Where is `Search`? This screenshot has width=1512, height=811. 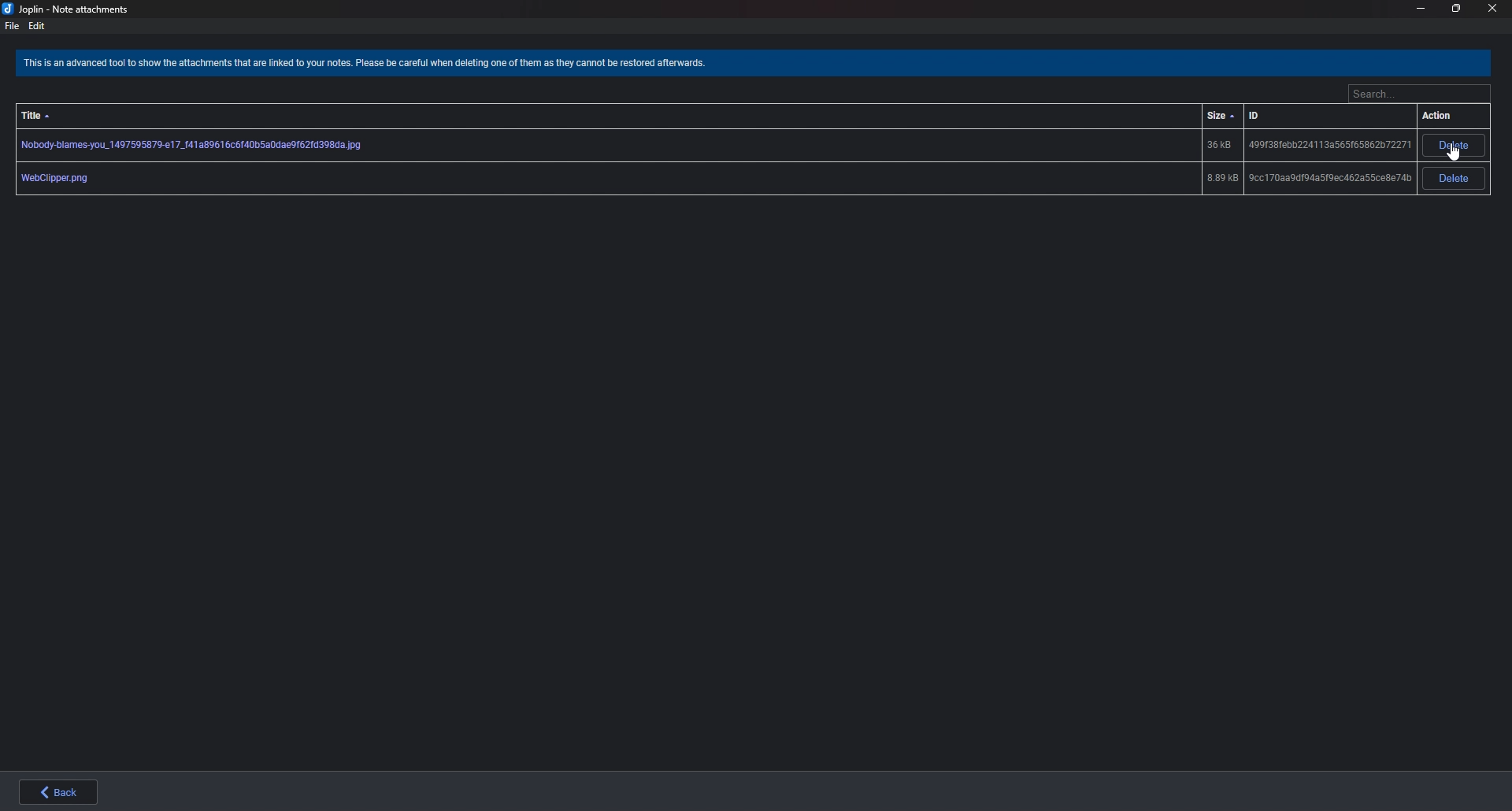
Search is located at coordinates (1418, 95).